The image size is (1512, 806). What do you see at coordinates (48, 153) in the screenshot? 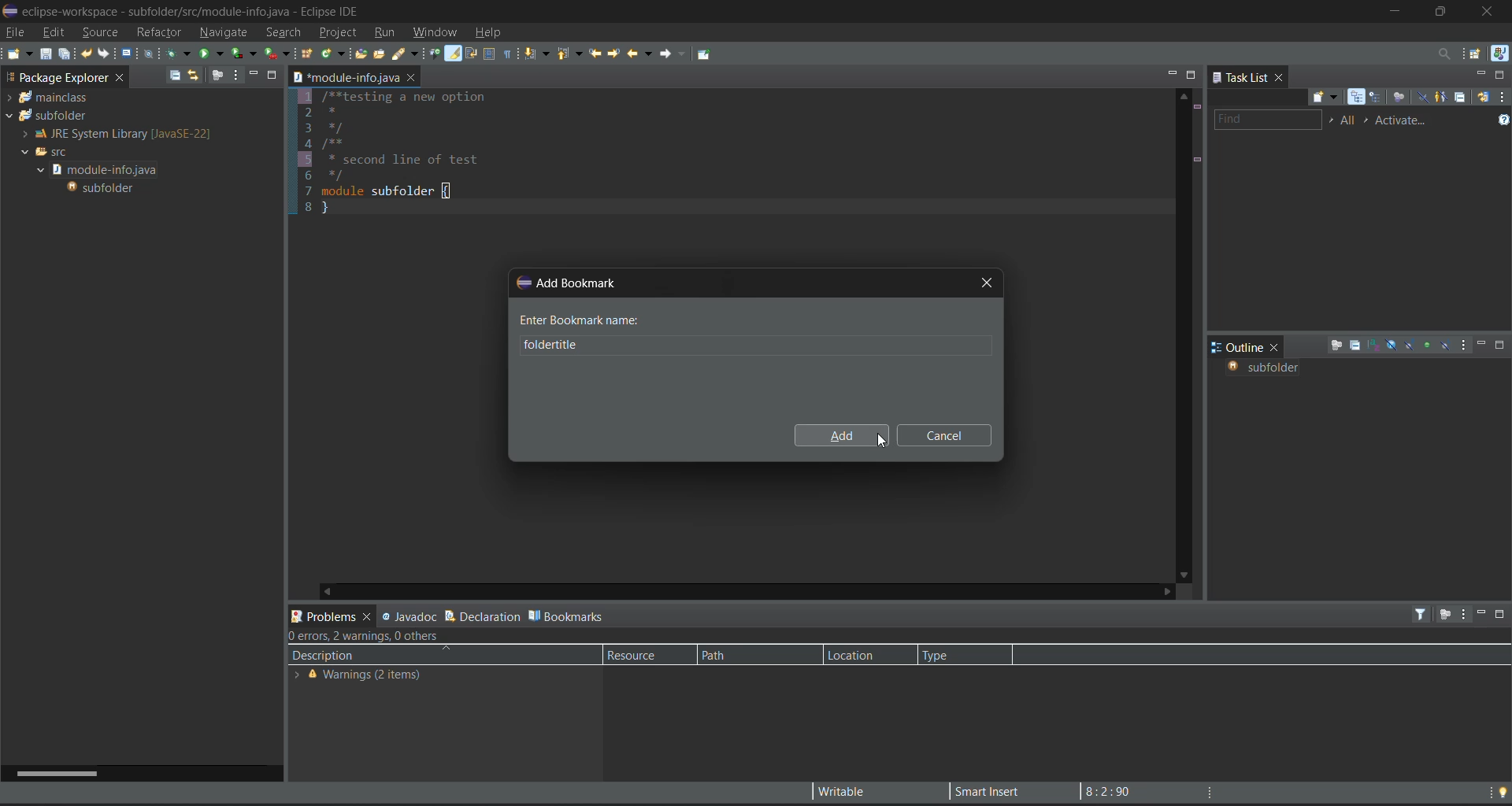
I see `src` at bounding box center [48, 153].